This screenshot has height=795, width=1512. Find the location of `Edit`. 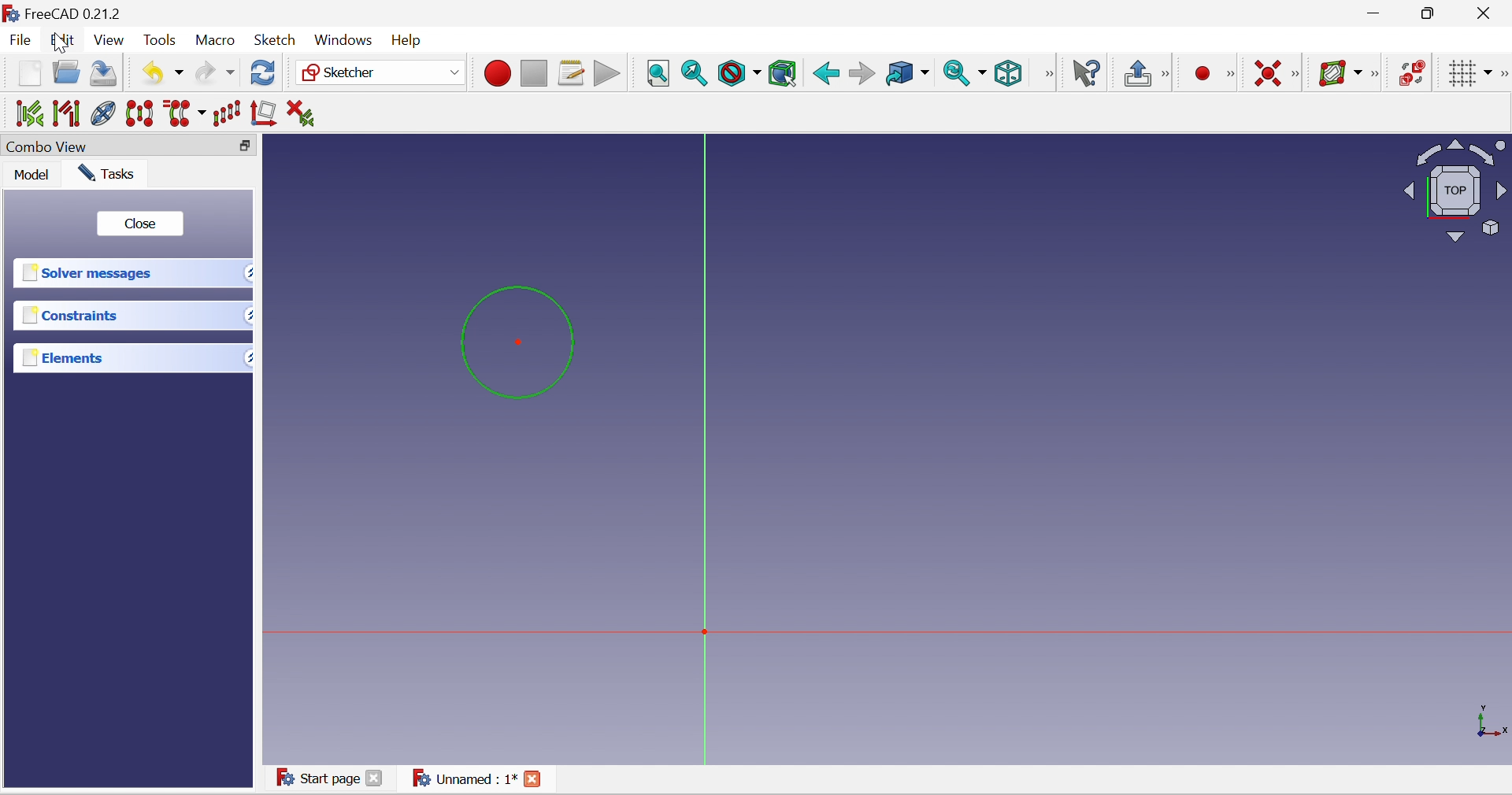

Edit is located at coordinates (65, 40).